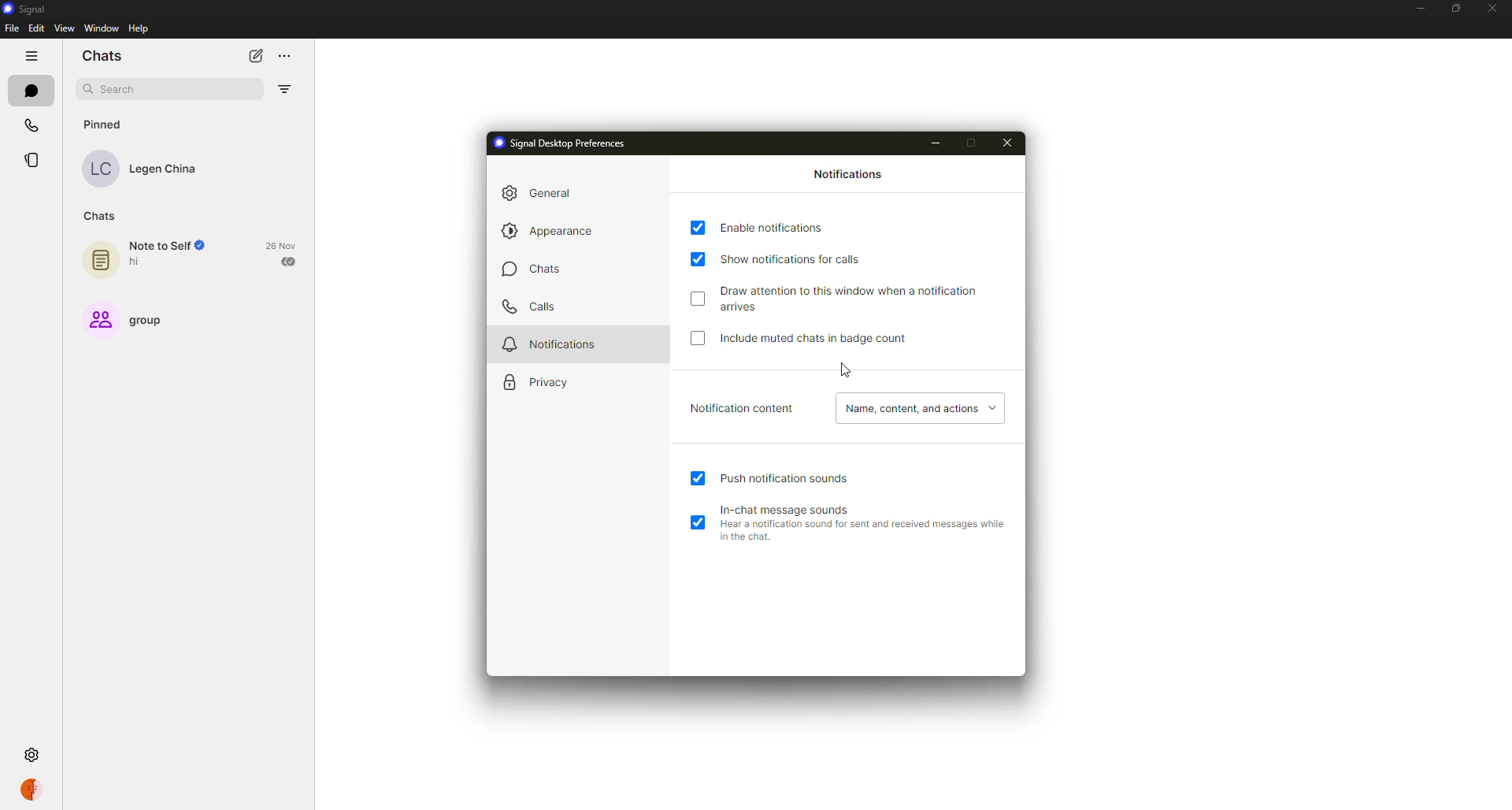 This screenshot has width=1512, height=810. What do you see at coordinates (284, 245) in the screenshot?
I see `date` at bounding box center [284, 245].